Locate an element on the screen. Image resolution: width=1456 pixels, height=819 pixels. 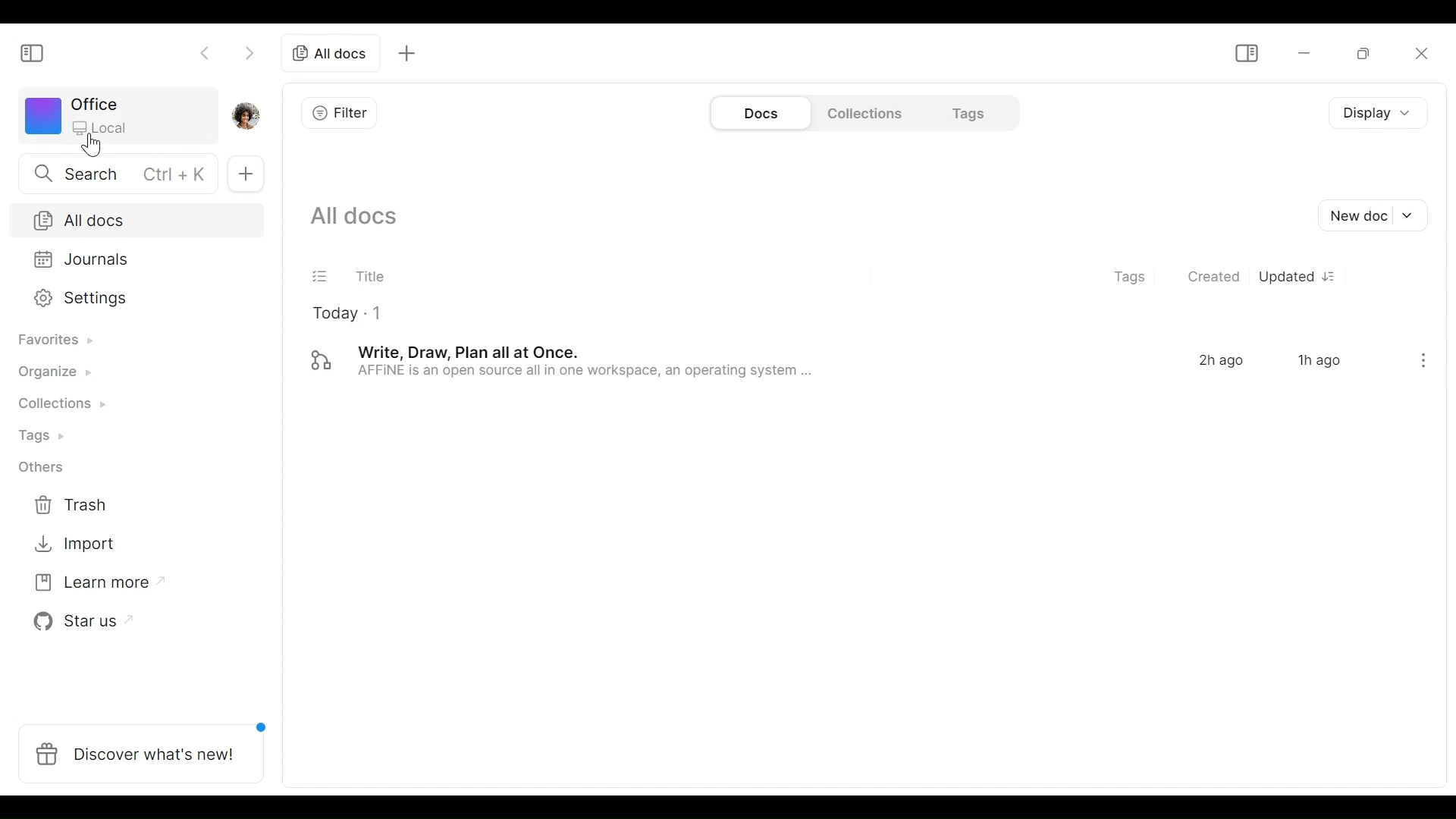
Others is located at coordinates (39, 466).